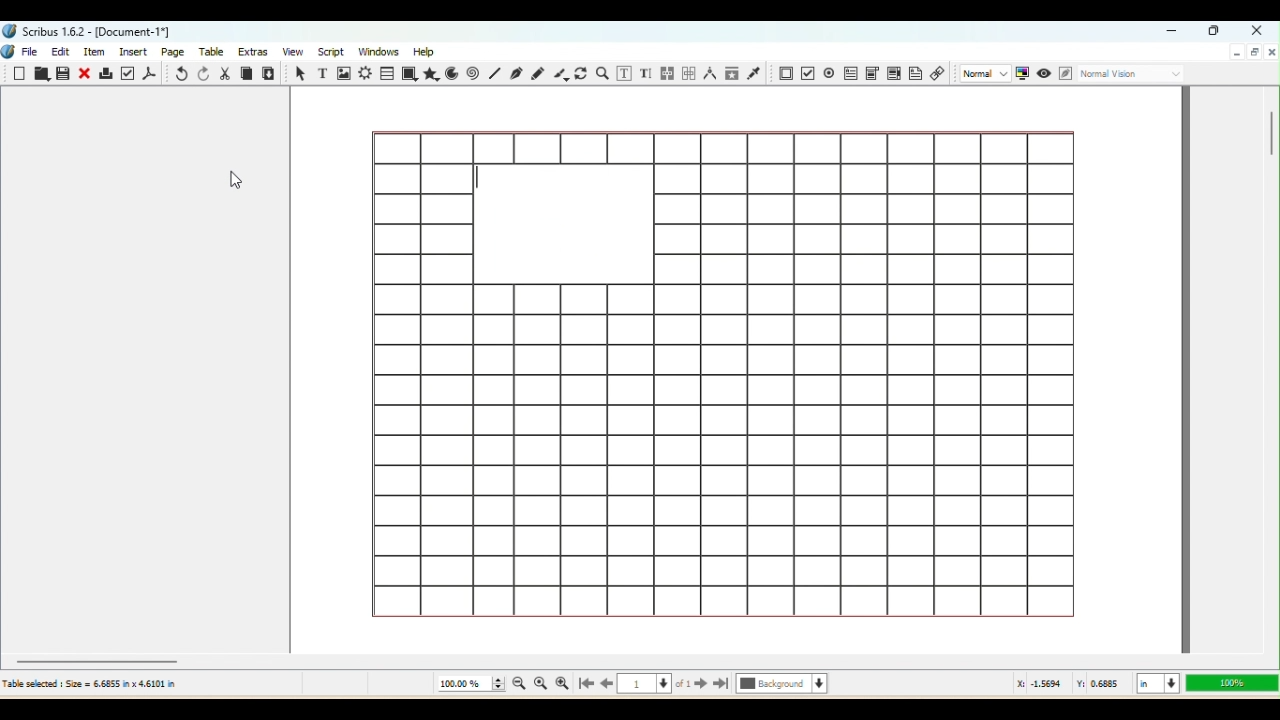  Describe the element at coordinates (983, 73) in the screenshot. I see `Select the image preview quality` at that location.